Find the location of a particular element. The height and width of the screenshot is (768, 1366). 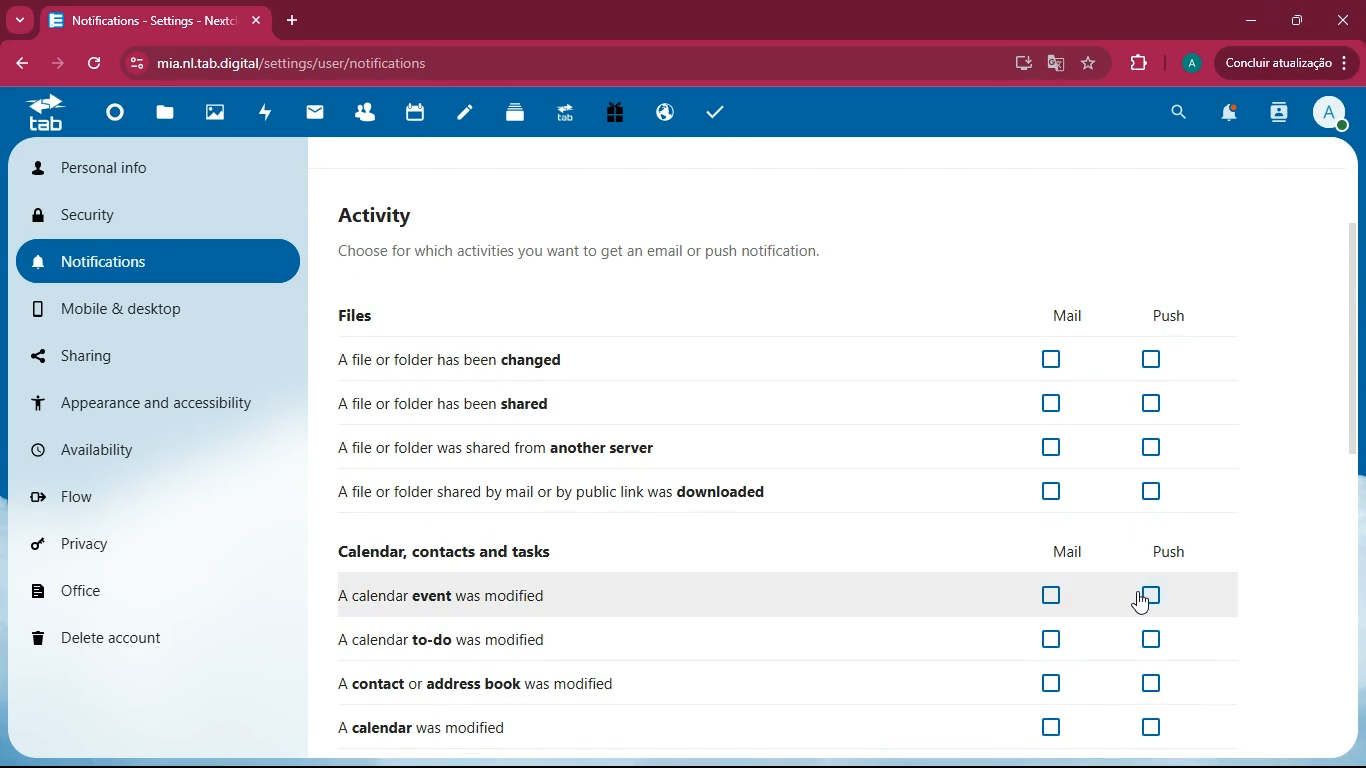

tasks is located at coordinates (717, 111).